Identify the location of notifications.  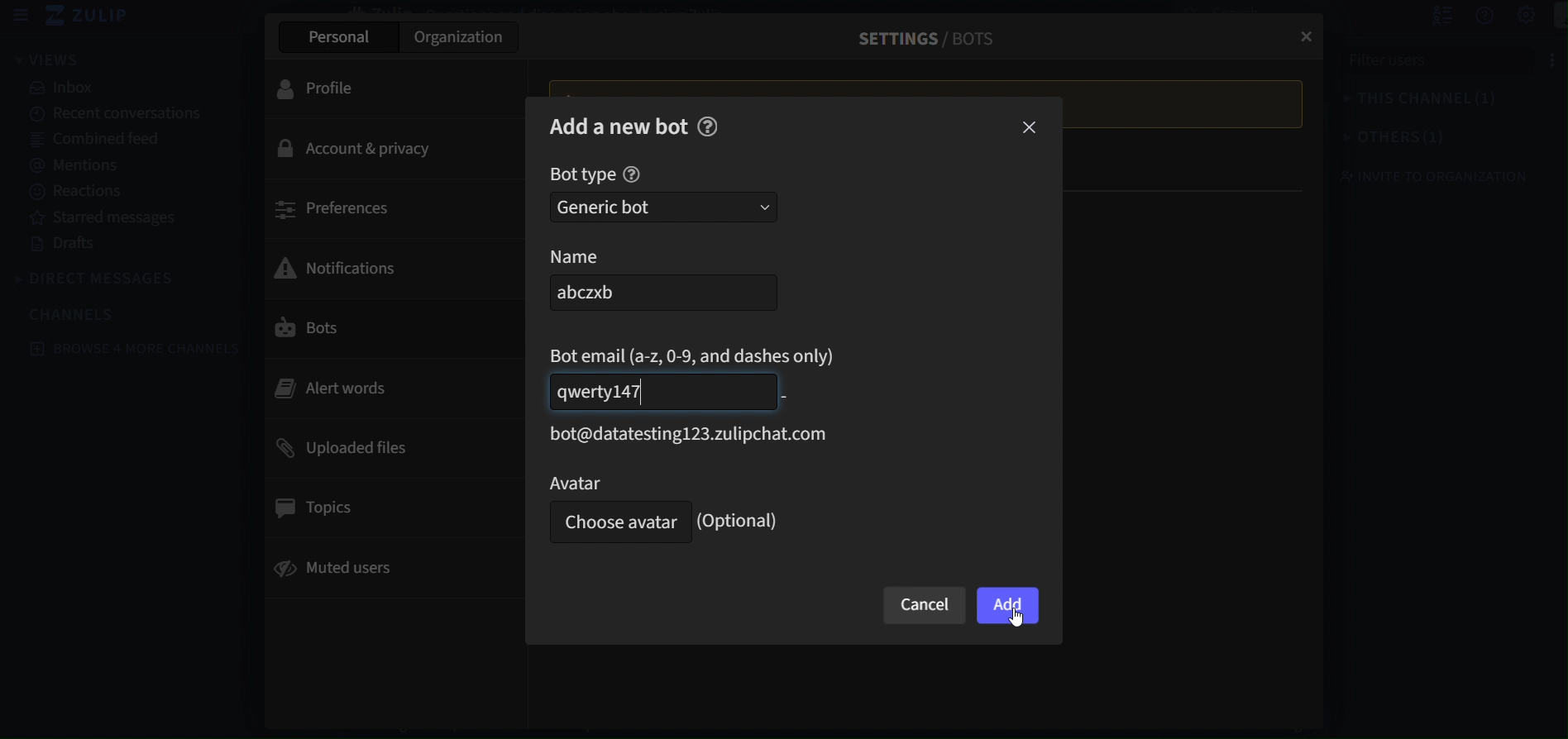
(380, 266).